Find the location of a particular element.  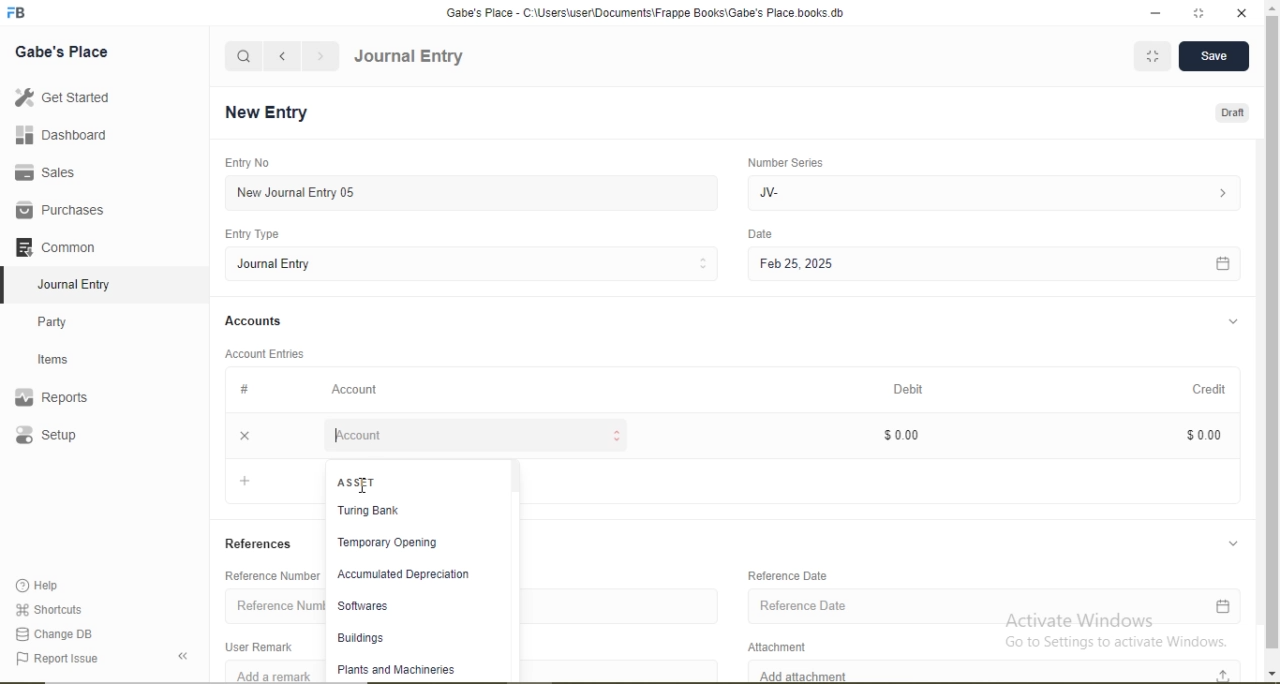

ASSET is located at coordinates (355, 480).